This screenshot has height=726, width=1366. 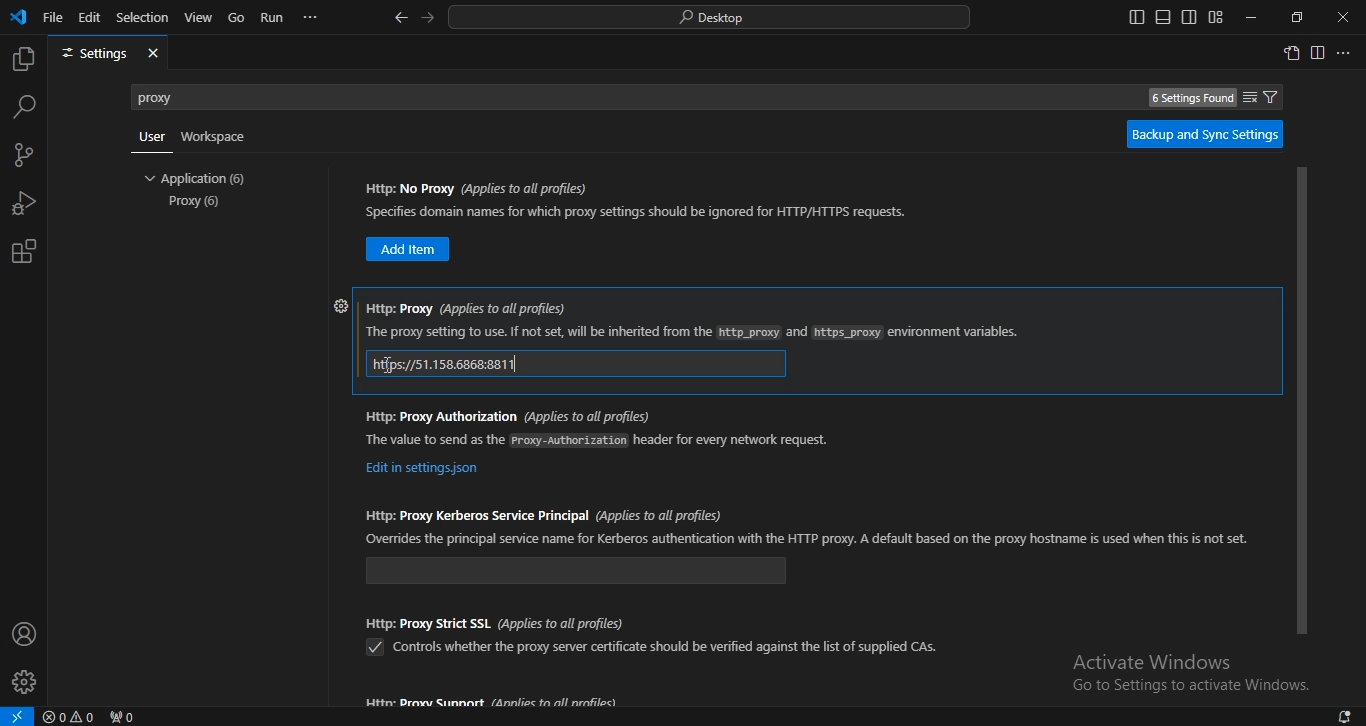 I want to click on toggle panel, so click(x=1161, y=16).